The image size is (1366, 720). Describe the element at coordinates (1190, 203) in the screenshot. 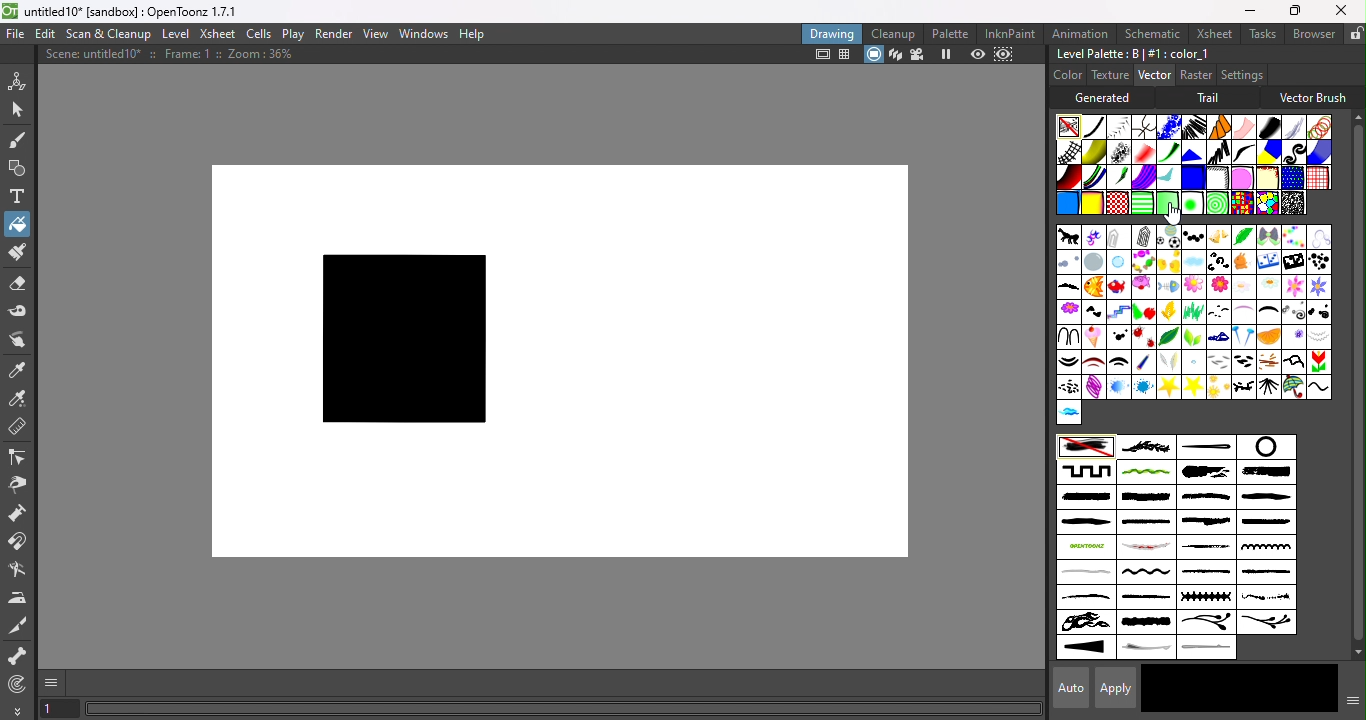

I see `Radial gradient` at that location.